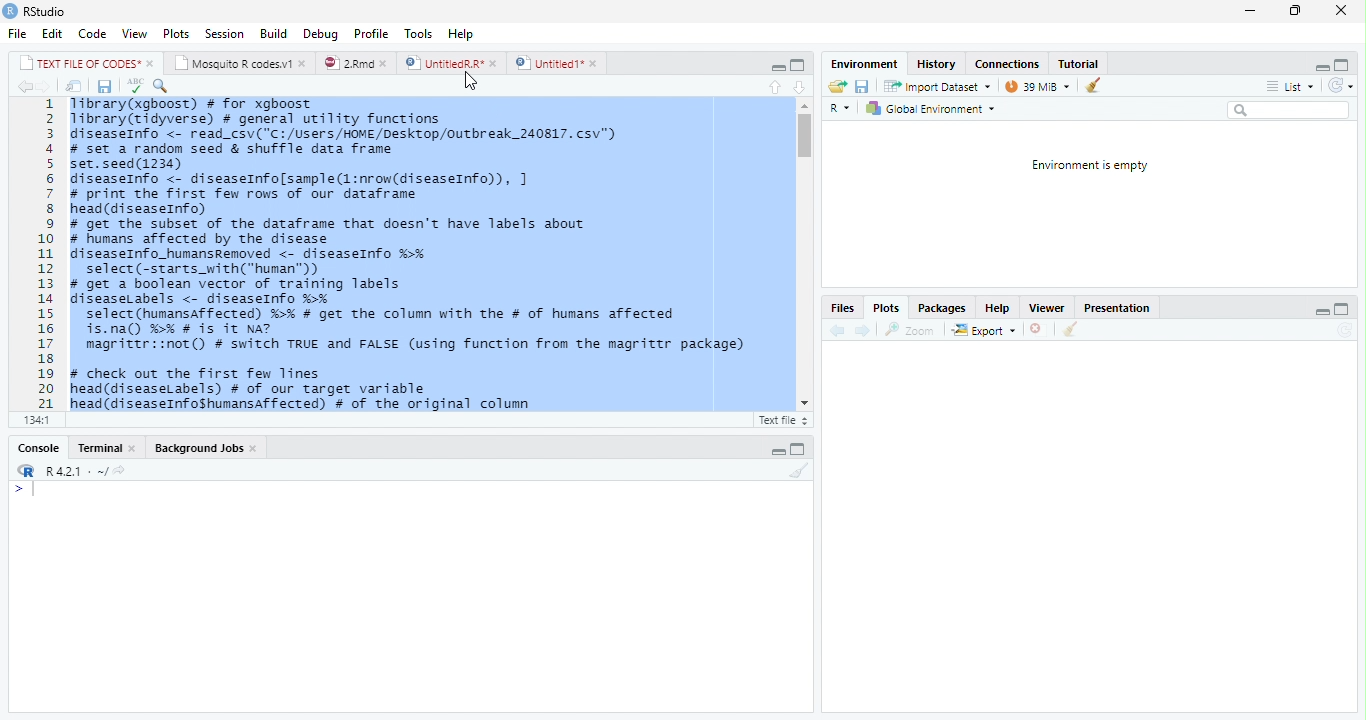 This screenshot has width=1366, height=720. I want to click on Help, so click(995, 307).